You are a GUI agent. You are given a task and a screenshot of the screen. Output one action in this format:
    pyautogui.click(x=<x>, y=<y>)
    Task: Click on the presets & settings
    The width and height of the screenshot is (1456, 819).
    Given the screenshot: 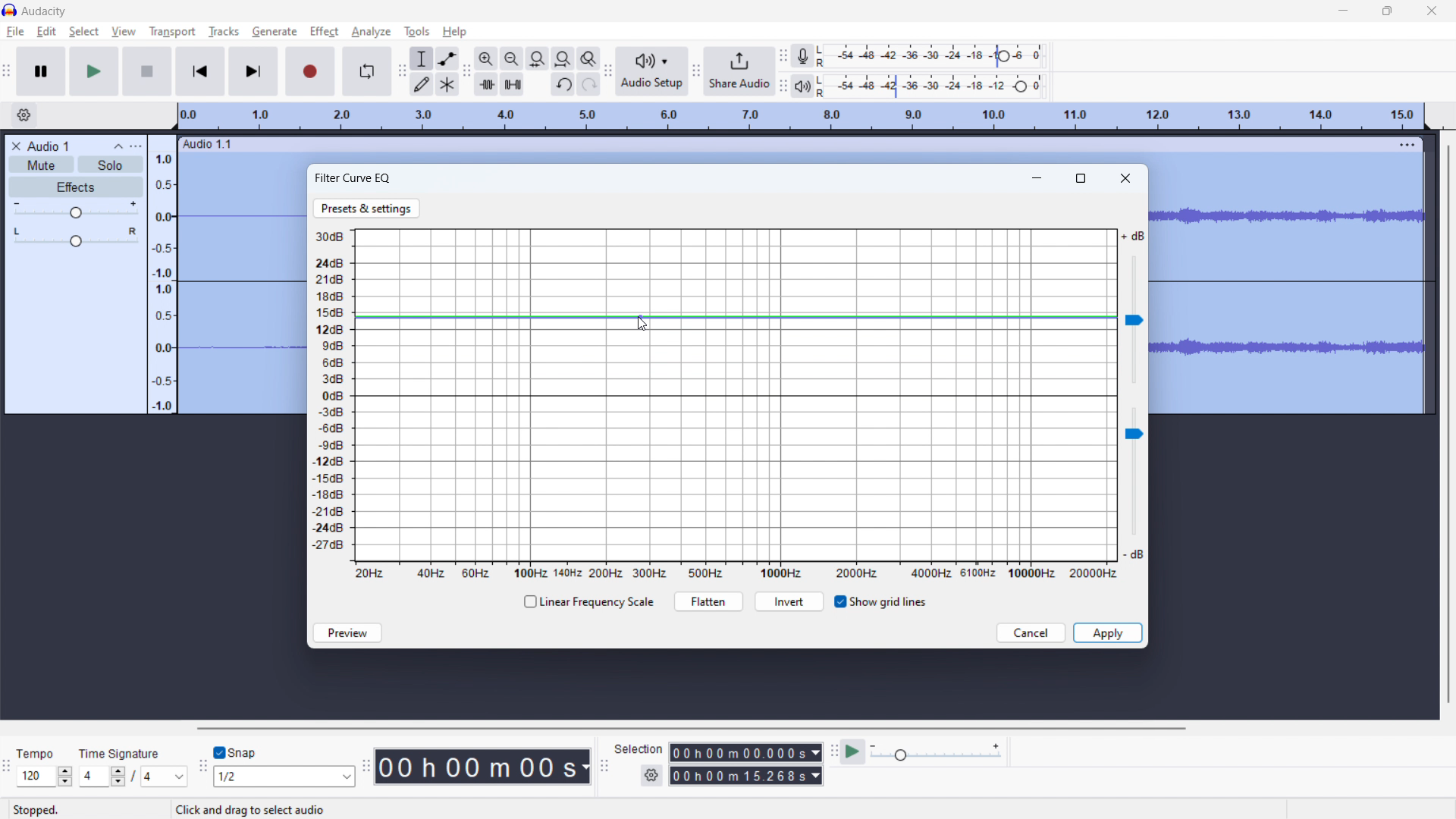 What is the action you would take?
    pyautogui.click(x=367, y=209)
    